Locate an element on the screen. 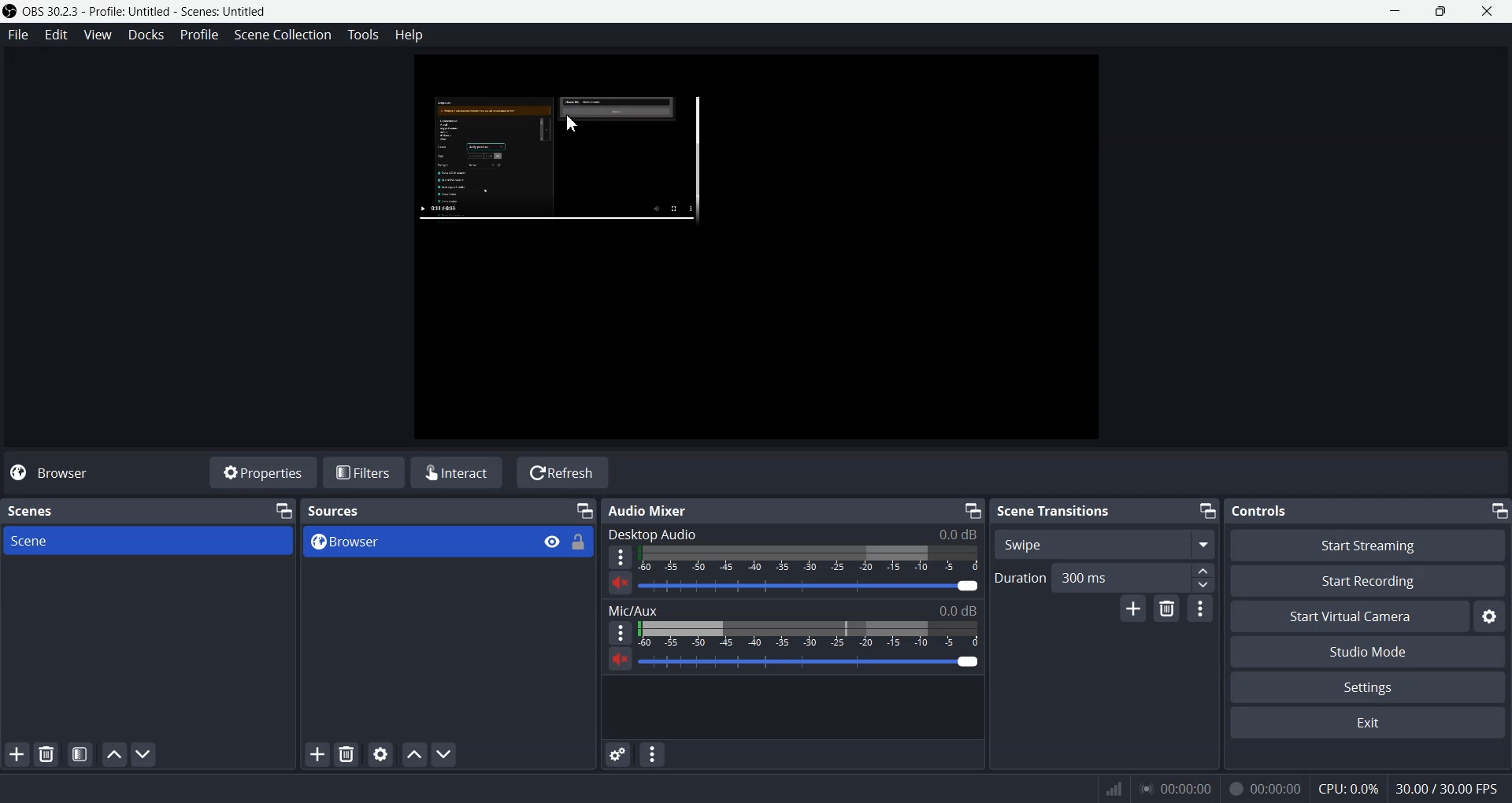 This screenshot has height=803, width=1512. Add Source is located at coordinates (317, 754).